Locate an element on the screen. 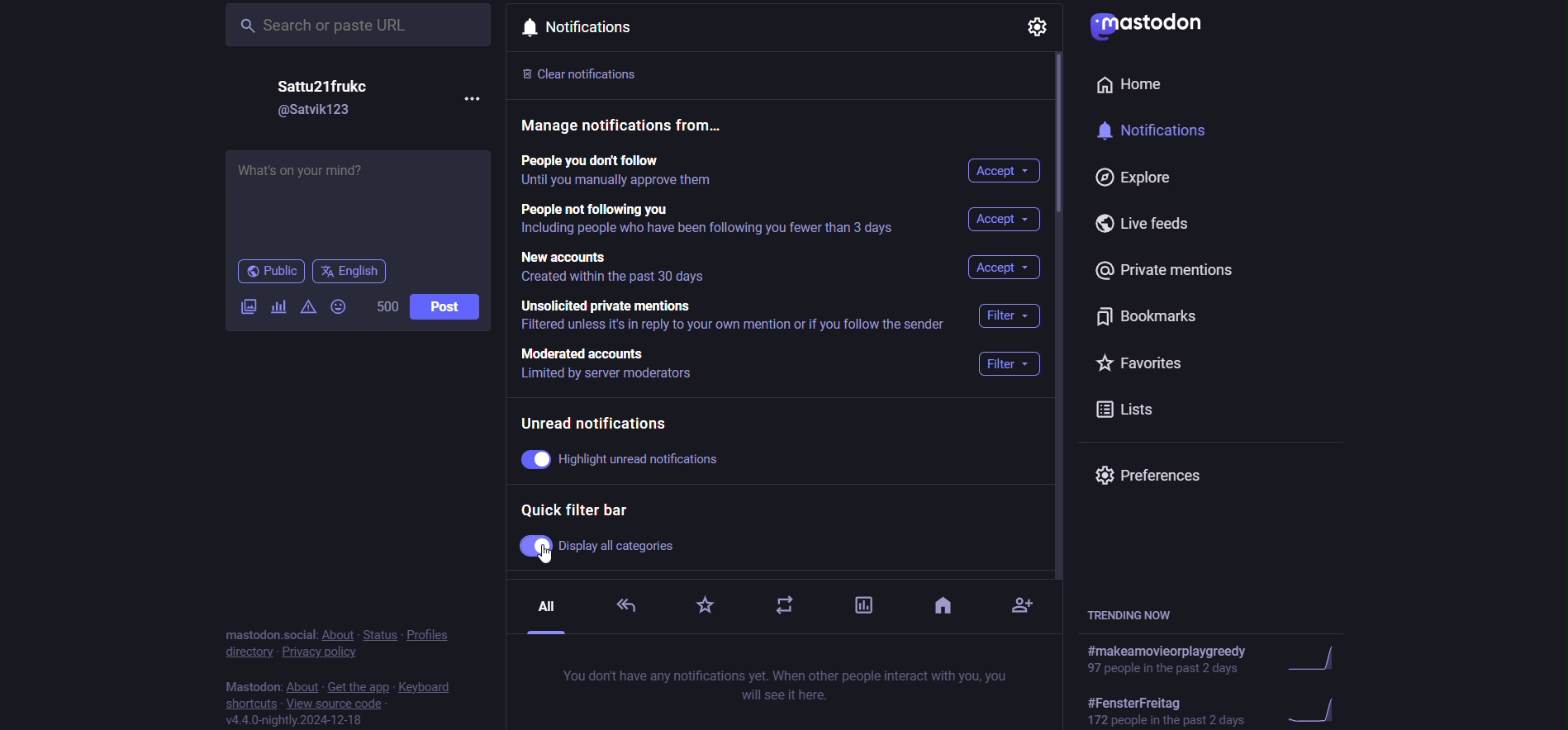 The image size is (1568, 730). About is located at coordinates (302, 686).